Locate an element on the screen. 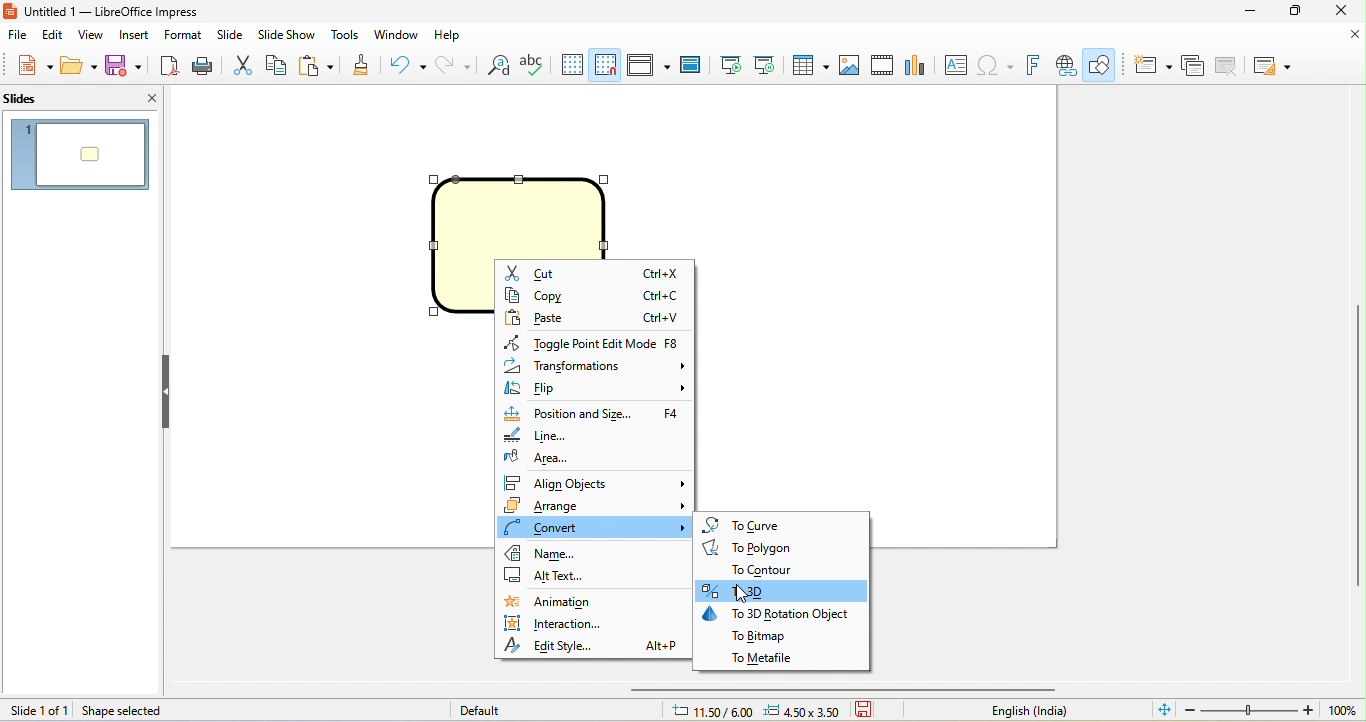  animation is located at coordinates (566, 603).